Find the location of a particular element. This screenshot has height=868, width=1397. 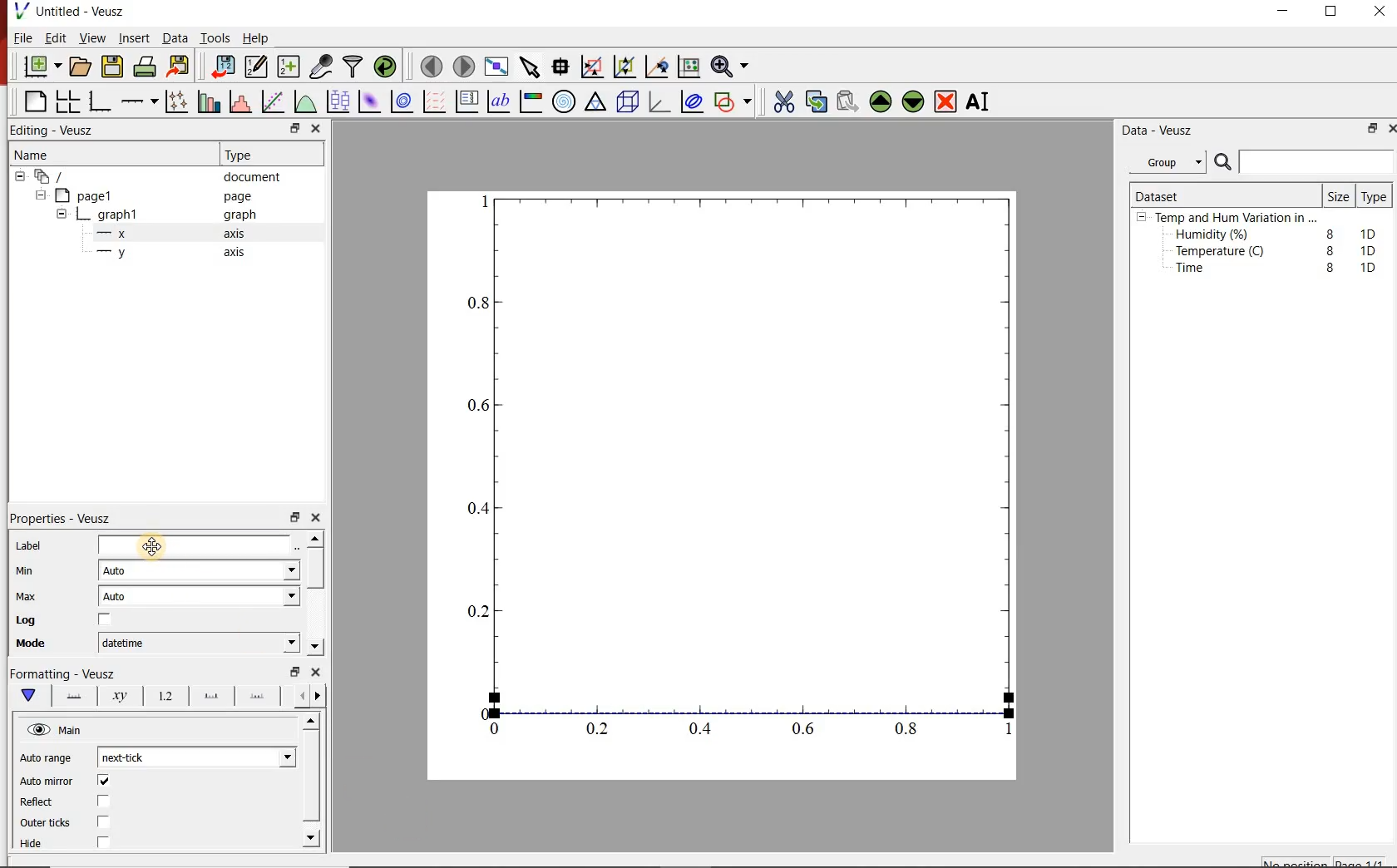

1D is located at coordinates (1373, 250).